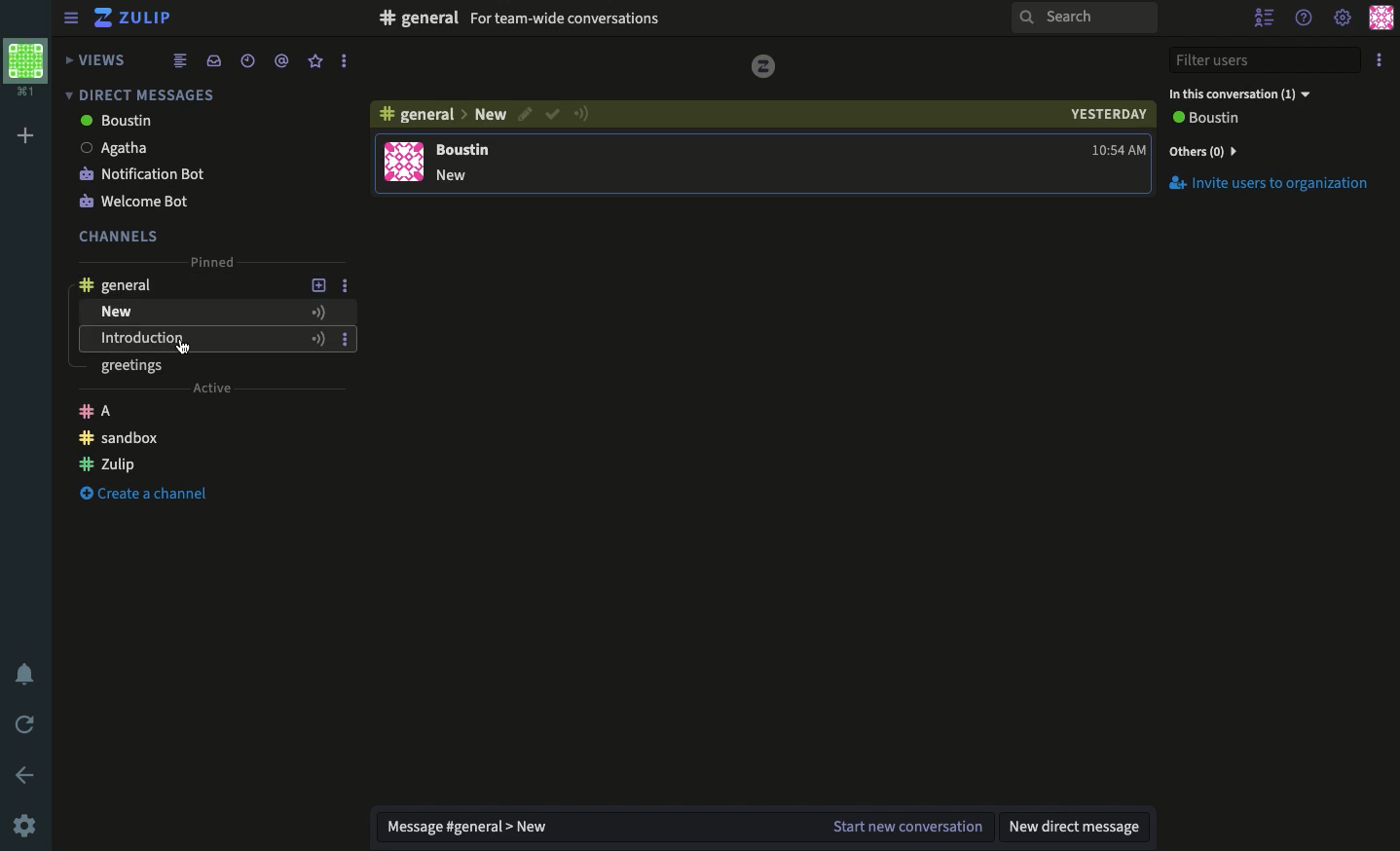 This screenshot has width=1400, height=851. Describe the element at coordinates (345, 340) in the screenshot. I see `Options` at that location.